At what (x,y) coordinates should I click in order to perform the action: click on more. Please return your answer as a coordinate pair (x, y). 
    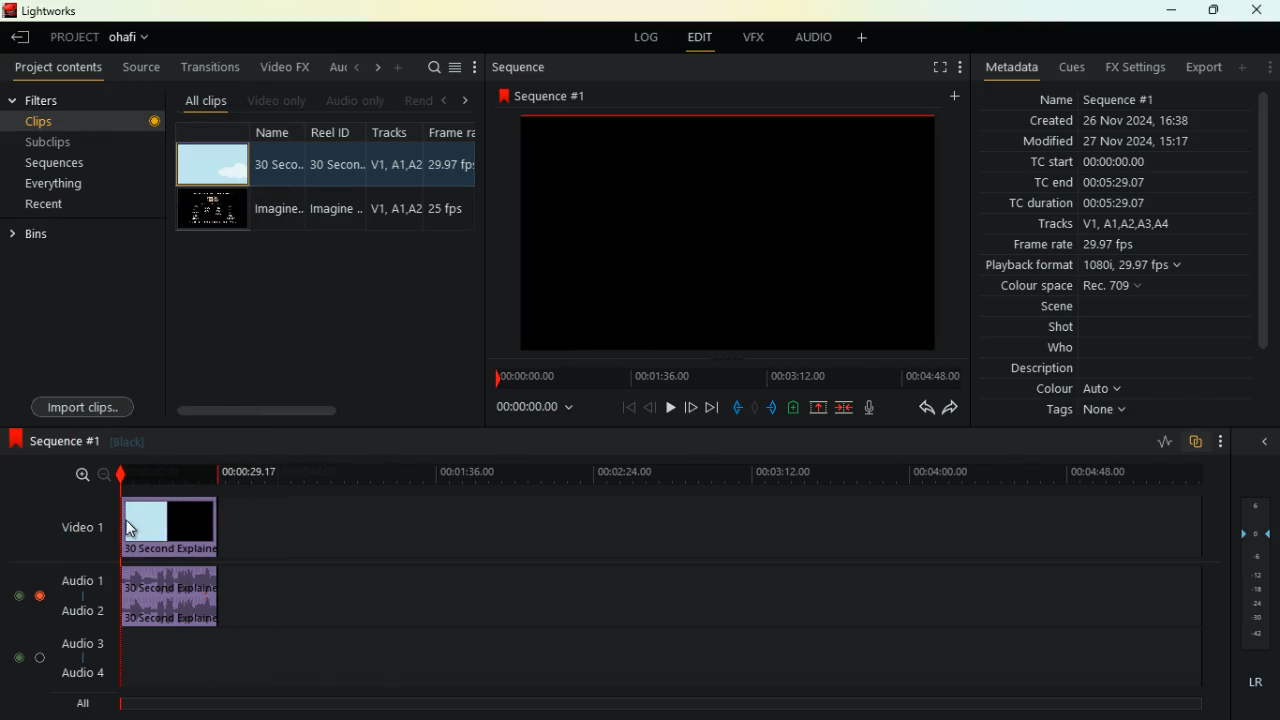
    Looking at the image, I should click on (1221, 441).